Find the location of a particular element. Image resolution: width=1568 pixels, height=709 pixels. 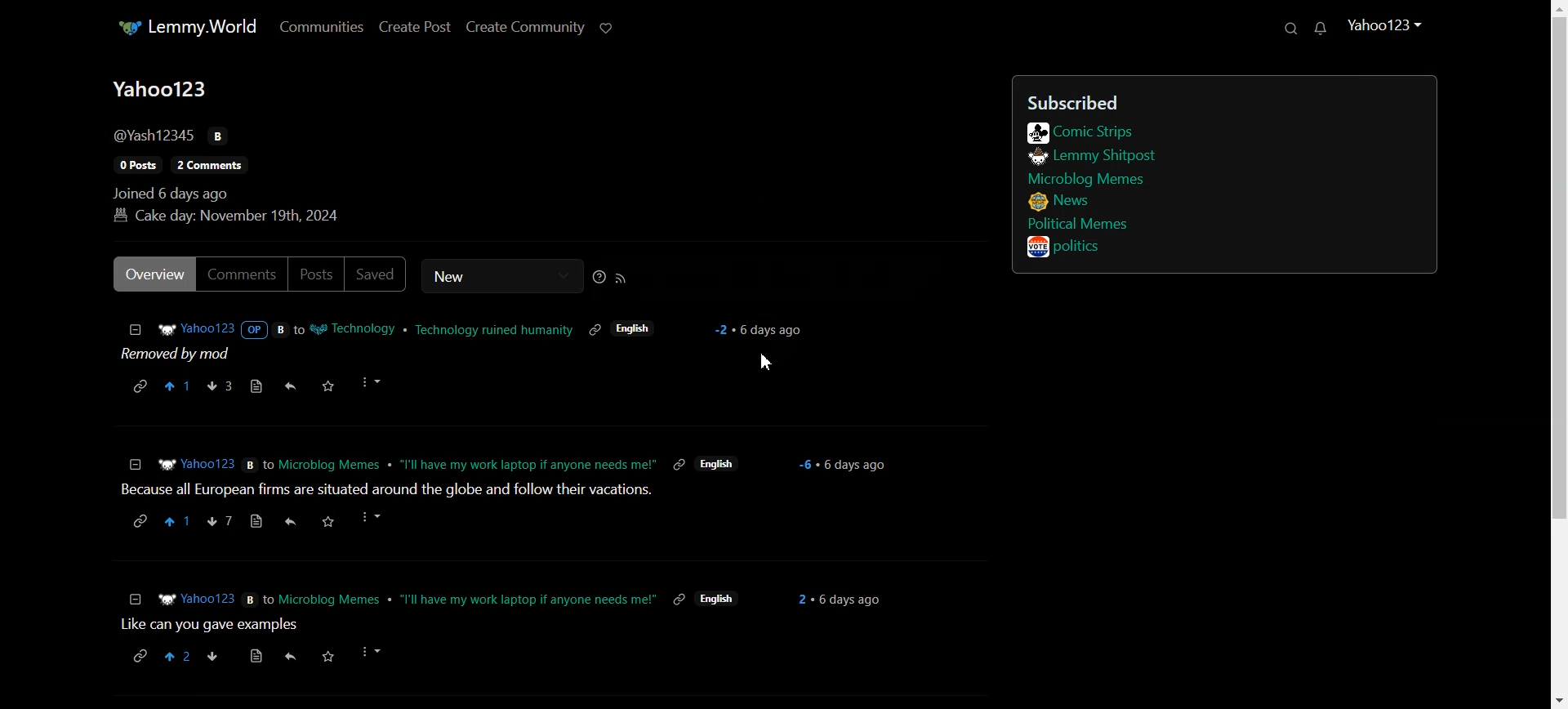

Like can you gave examples is located at coordinates (210, 627).